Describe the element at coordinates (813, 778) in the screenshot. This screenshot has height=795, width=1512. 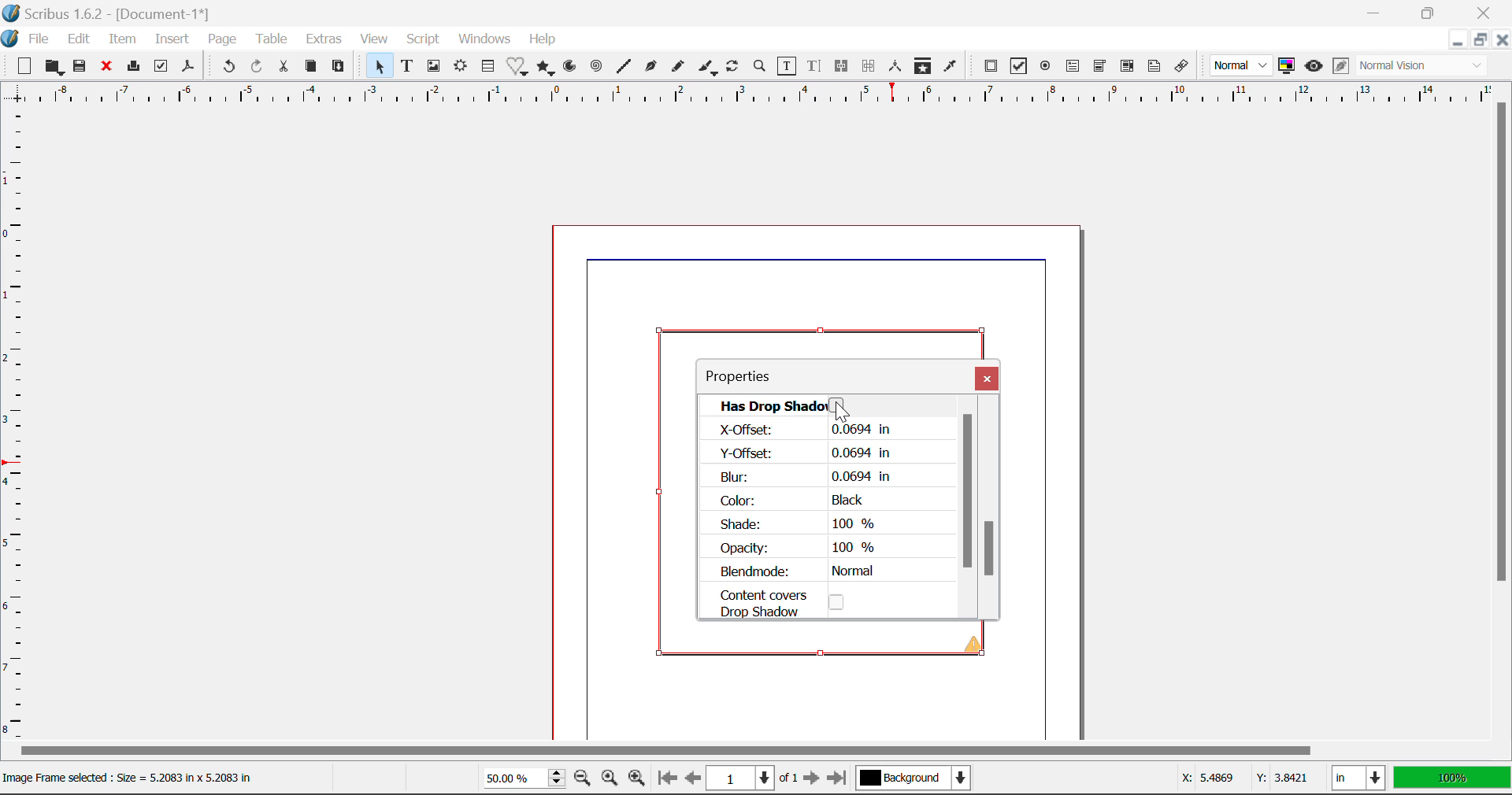
I see `Next page` at that location.